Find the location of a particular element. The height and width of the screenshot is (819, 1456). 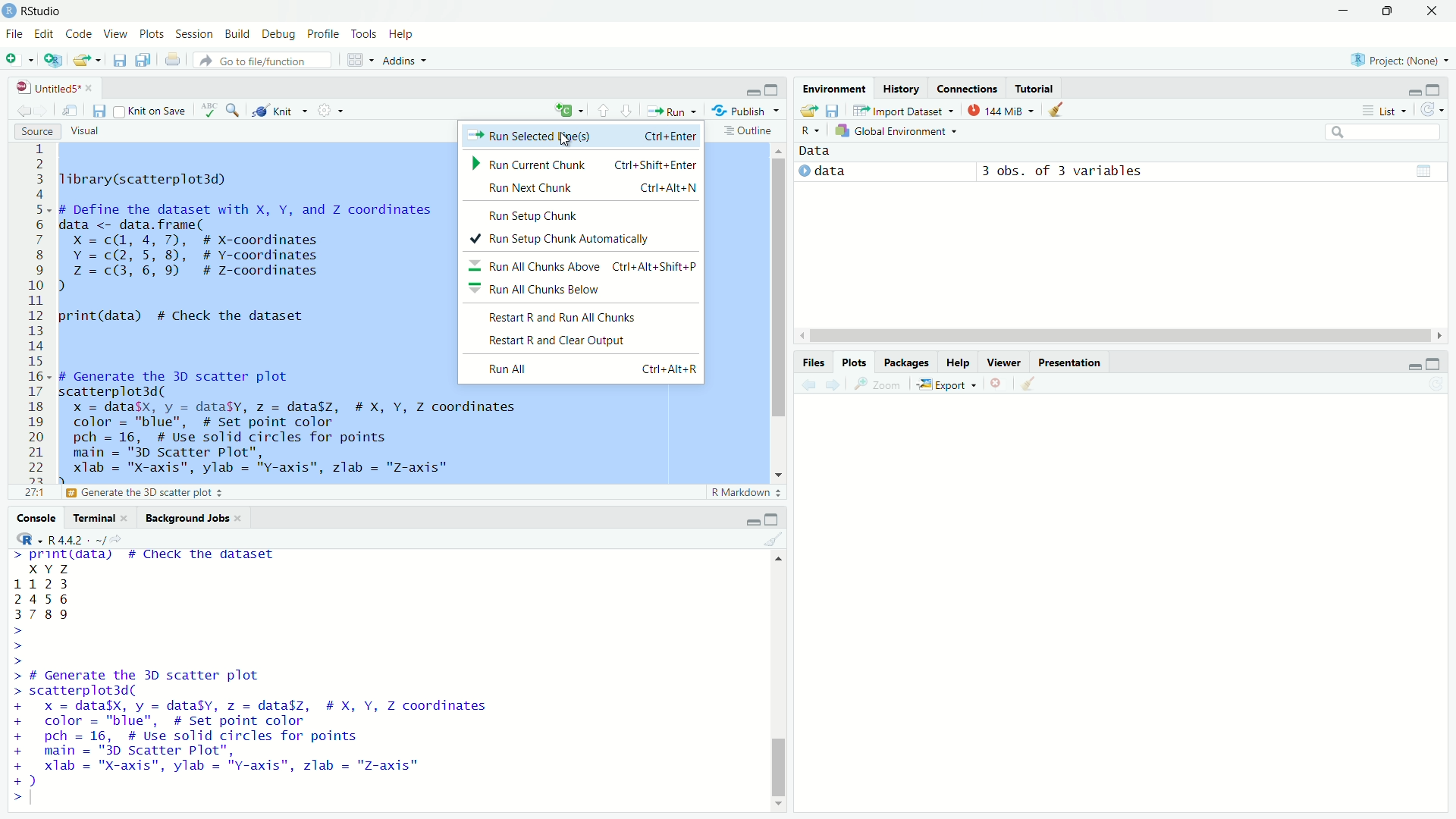

maximize is located at coordinates (1441, 361).